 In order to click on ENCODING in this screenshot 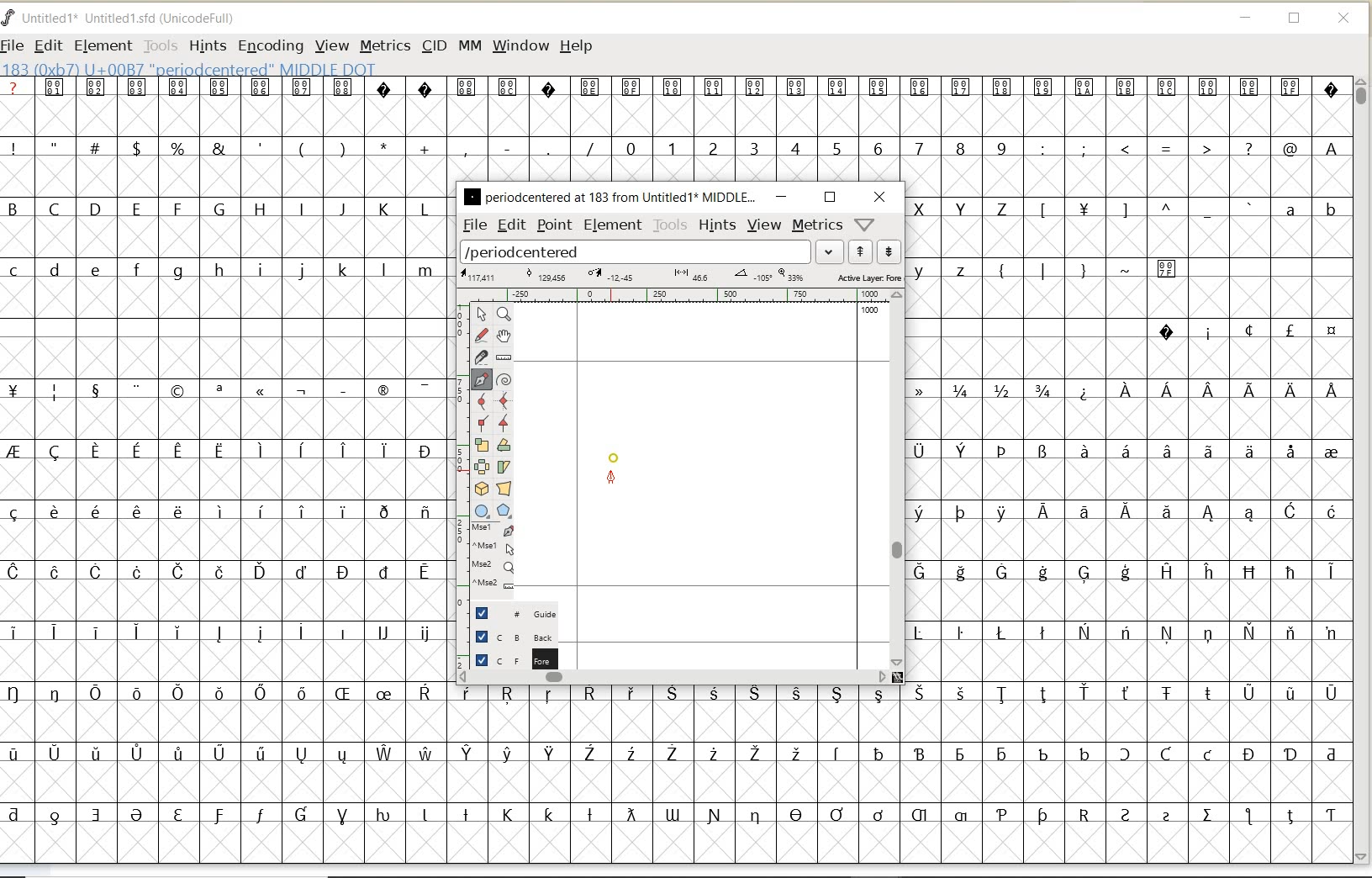, I will do `click(271, 47)`.